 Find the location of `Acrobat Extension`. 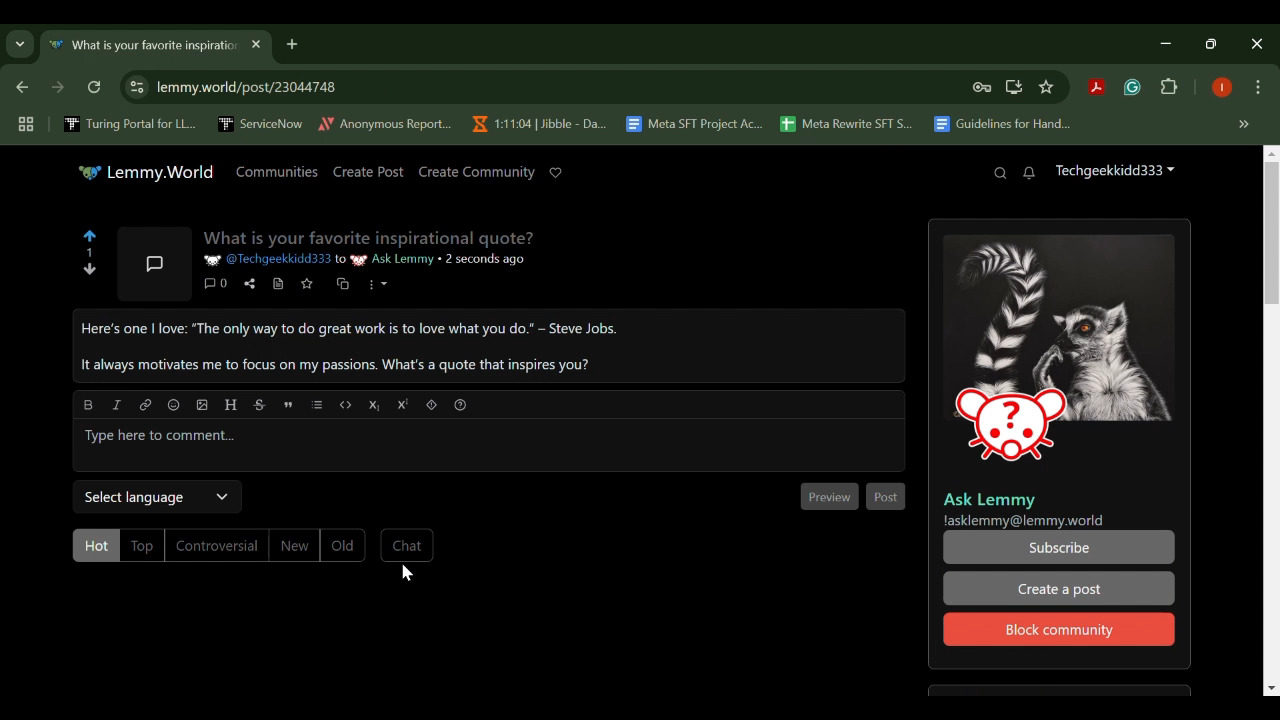

Acrobat Extension is located at coordinates (1096, 88).